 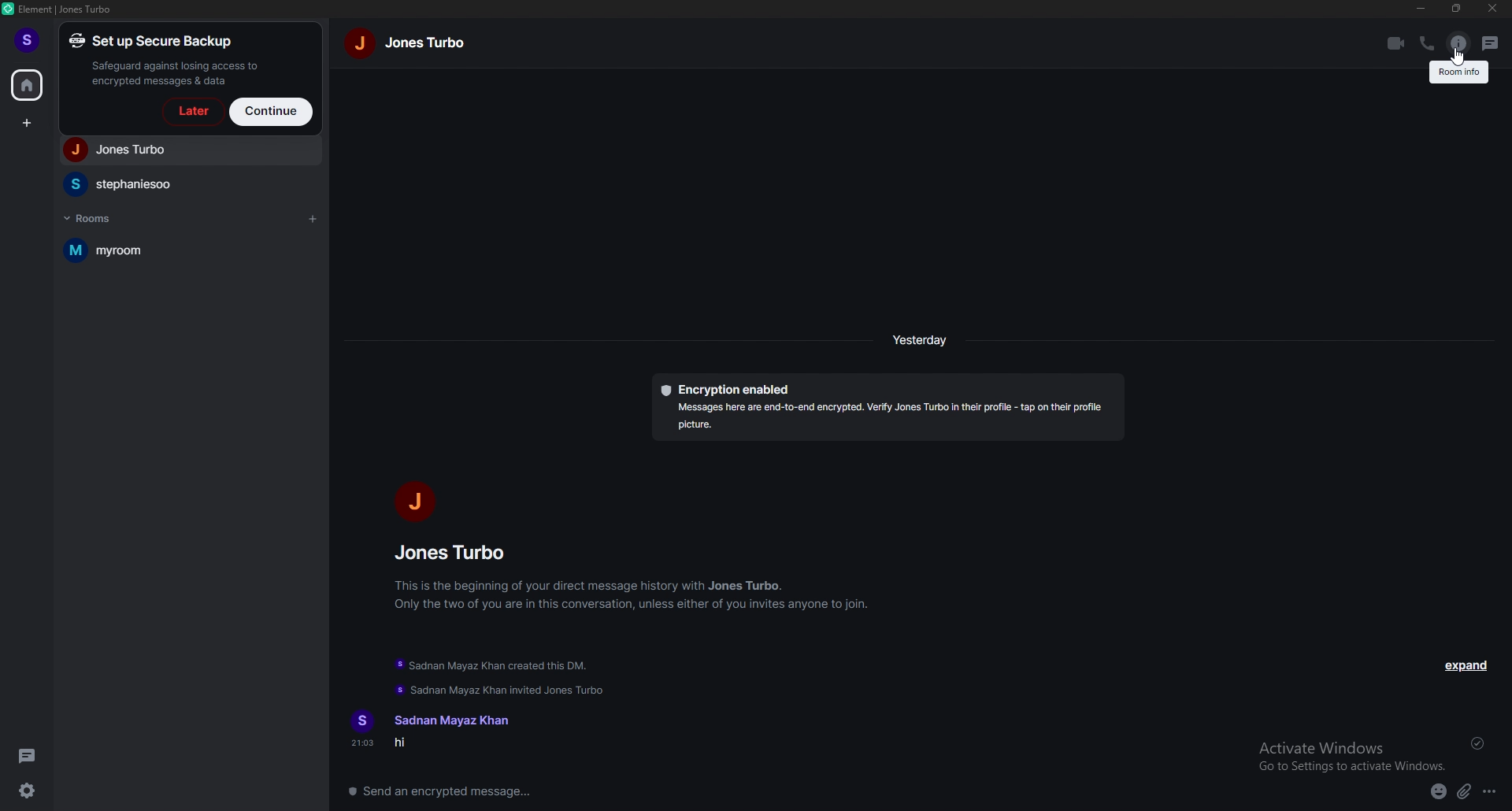 What do you see at coordinates (1493, 9) in the screenshot?
I see `close` at bounding box center [1493, 9].